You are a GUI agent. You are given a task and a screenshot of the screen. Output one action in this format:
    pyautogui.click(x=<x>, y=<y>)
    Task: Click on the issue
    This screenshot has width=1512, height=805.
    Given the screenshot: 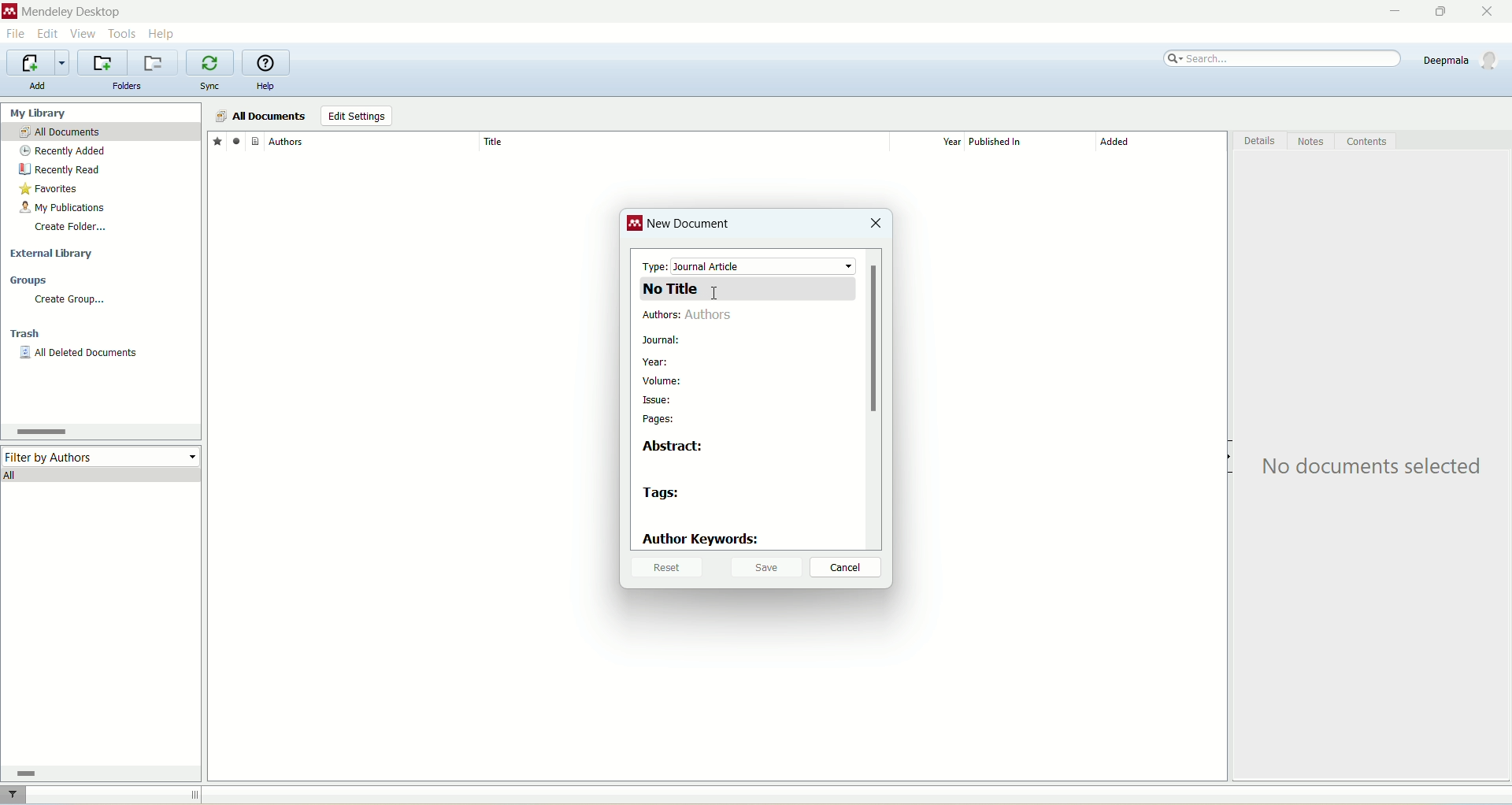 What is the action you would take?
    pyautogui.click(x=658, y=402)
    